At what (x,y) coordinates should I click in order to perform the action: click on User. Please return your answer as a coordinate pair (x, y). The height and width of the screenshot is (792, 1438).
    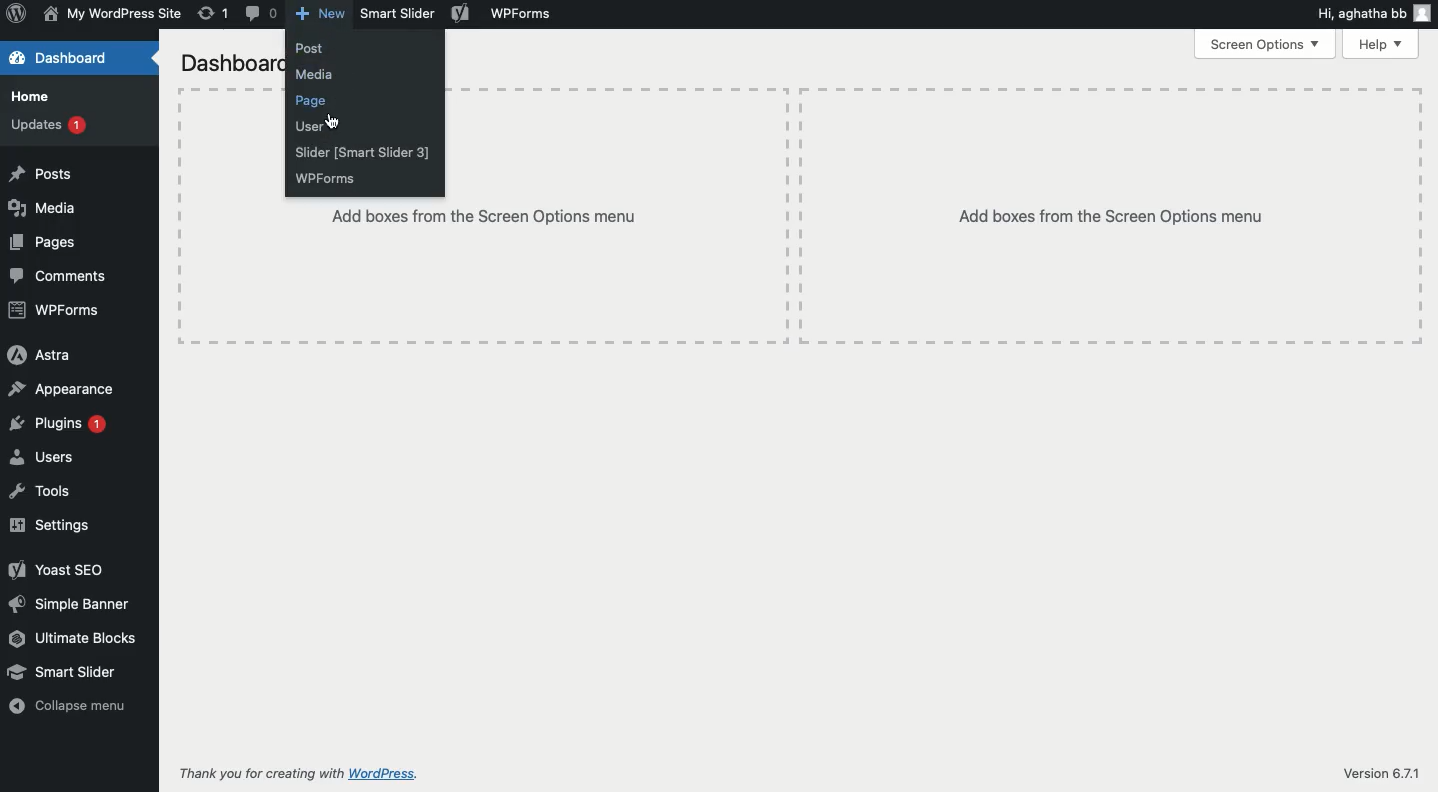
    Looking at the image, I should click on (311, 125).